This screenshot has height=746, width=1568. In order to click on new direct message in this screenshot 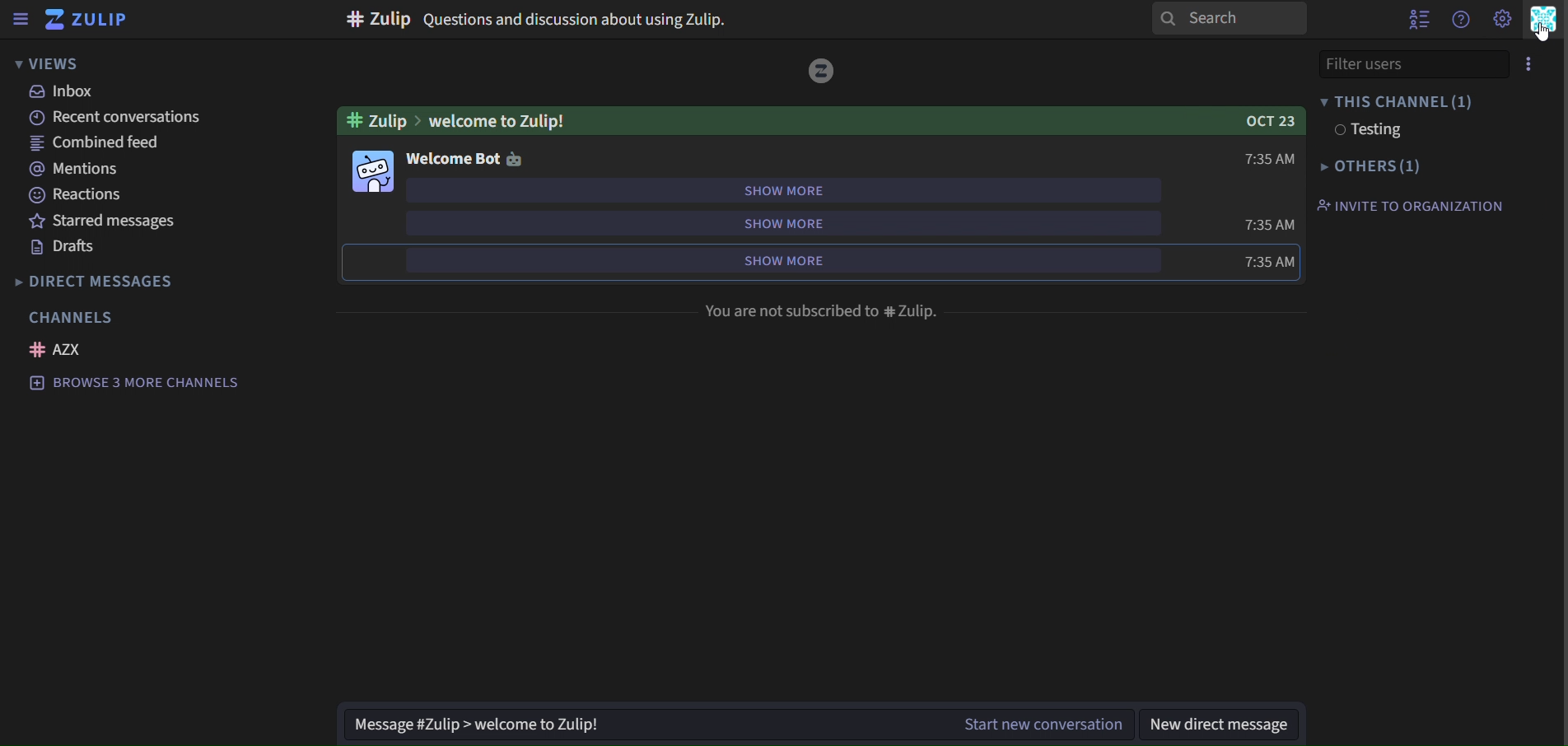, I will do `click(1219, 724)`.